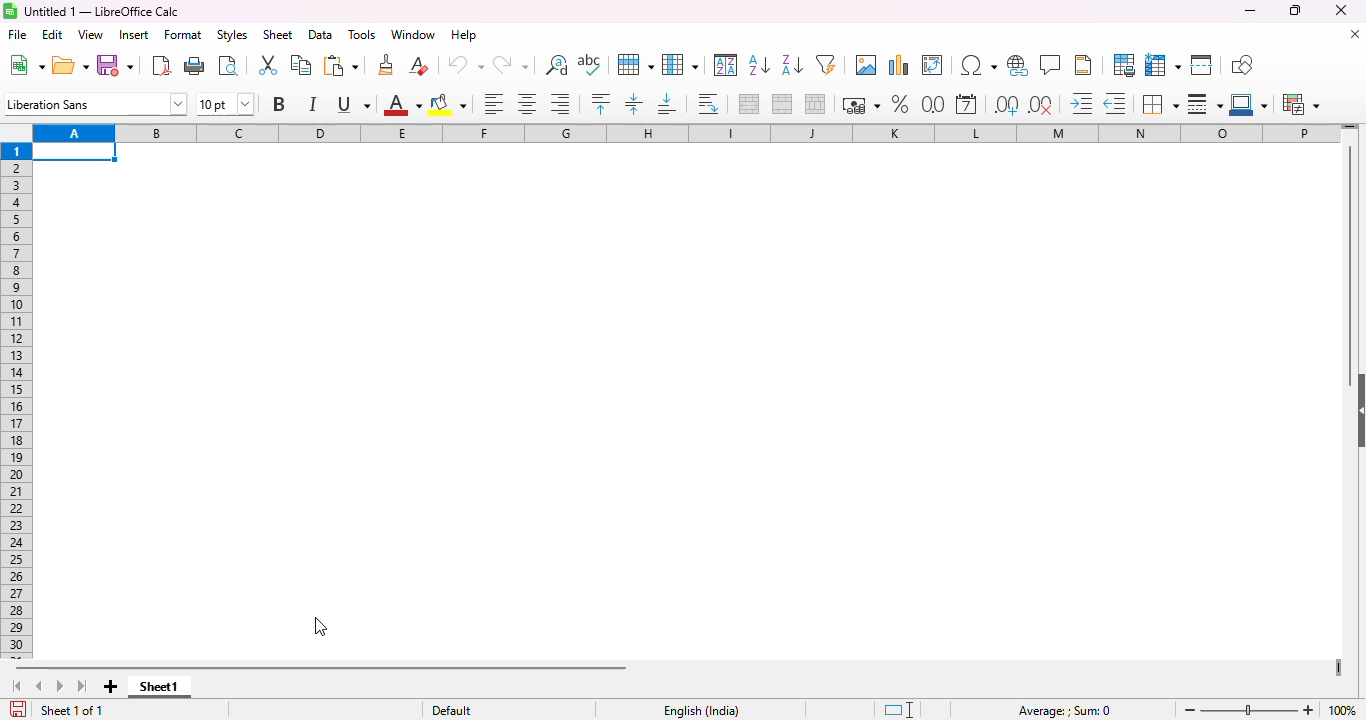 This screenshot has width=1366, height=720. What do you see at coordinates (867, 64) in the screenshot?
I see `insert image` at bounding box center [867, 64].